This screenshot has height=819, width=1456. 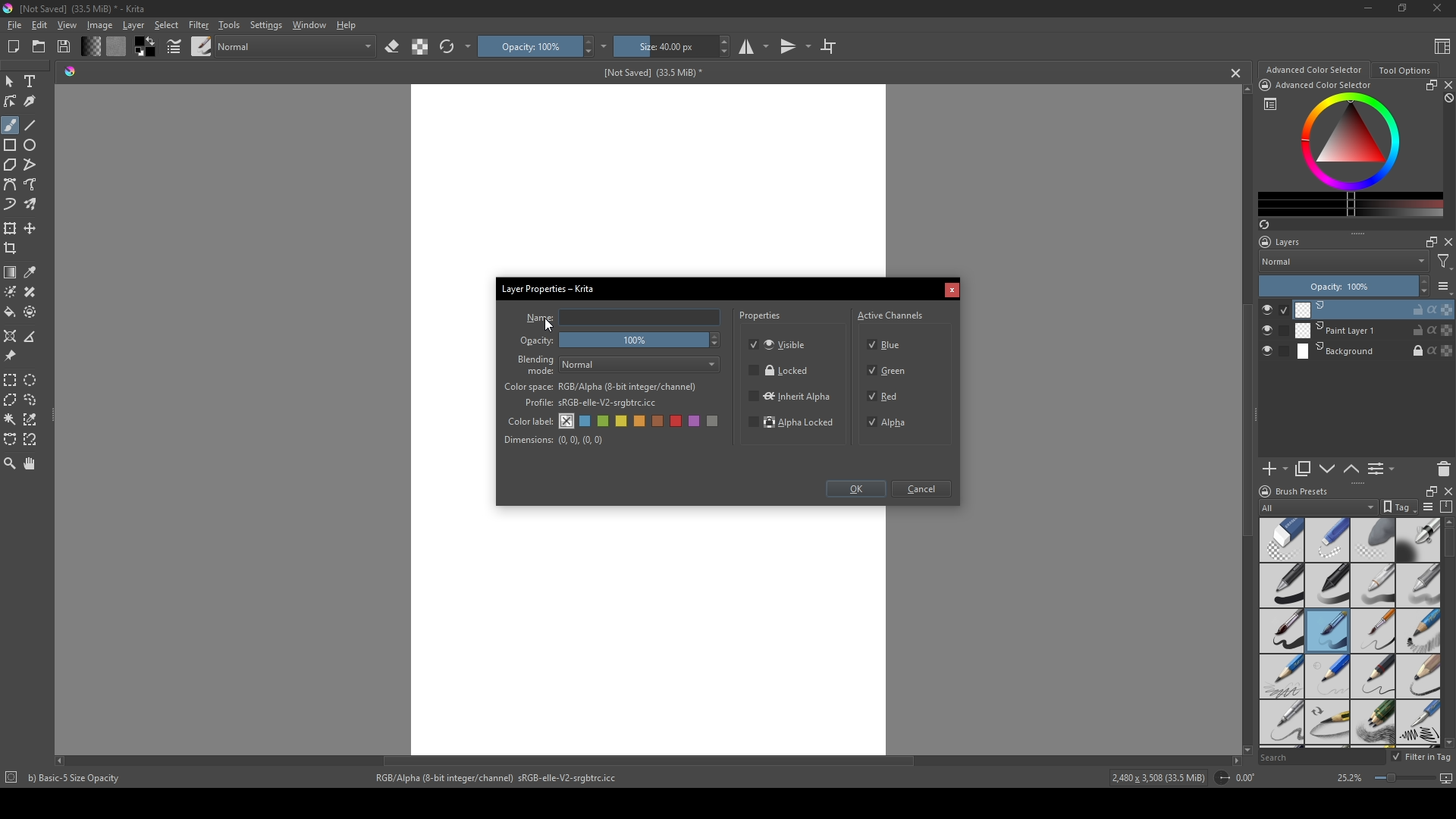 What do you see at coordinates (828, 45) in the screenshot?
I see `crop` at bounding box center [828, 45].